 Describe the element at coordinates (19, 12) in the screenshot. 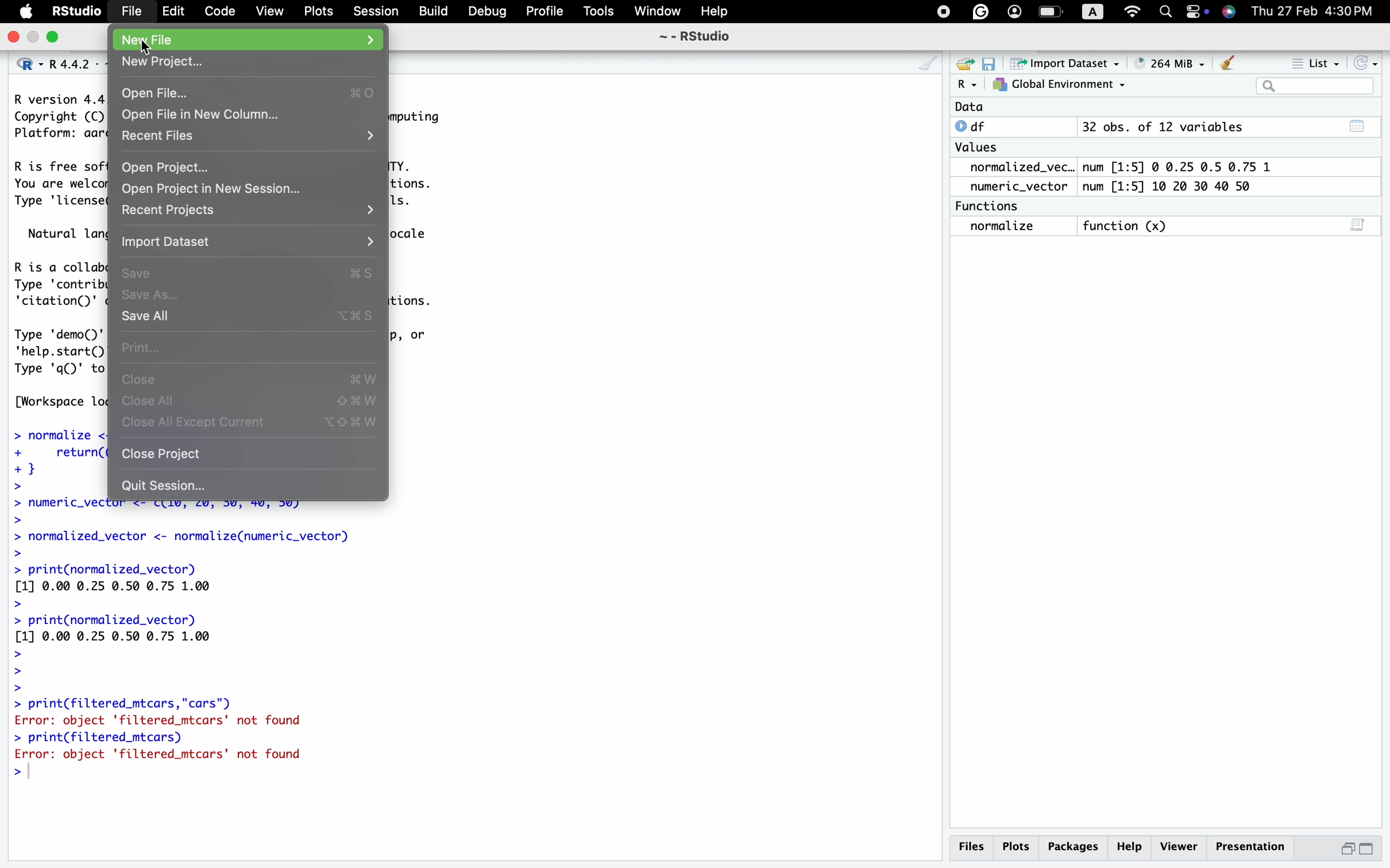

I see `apple logo` at that location.